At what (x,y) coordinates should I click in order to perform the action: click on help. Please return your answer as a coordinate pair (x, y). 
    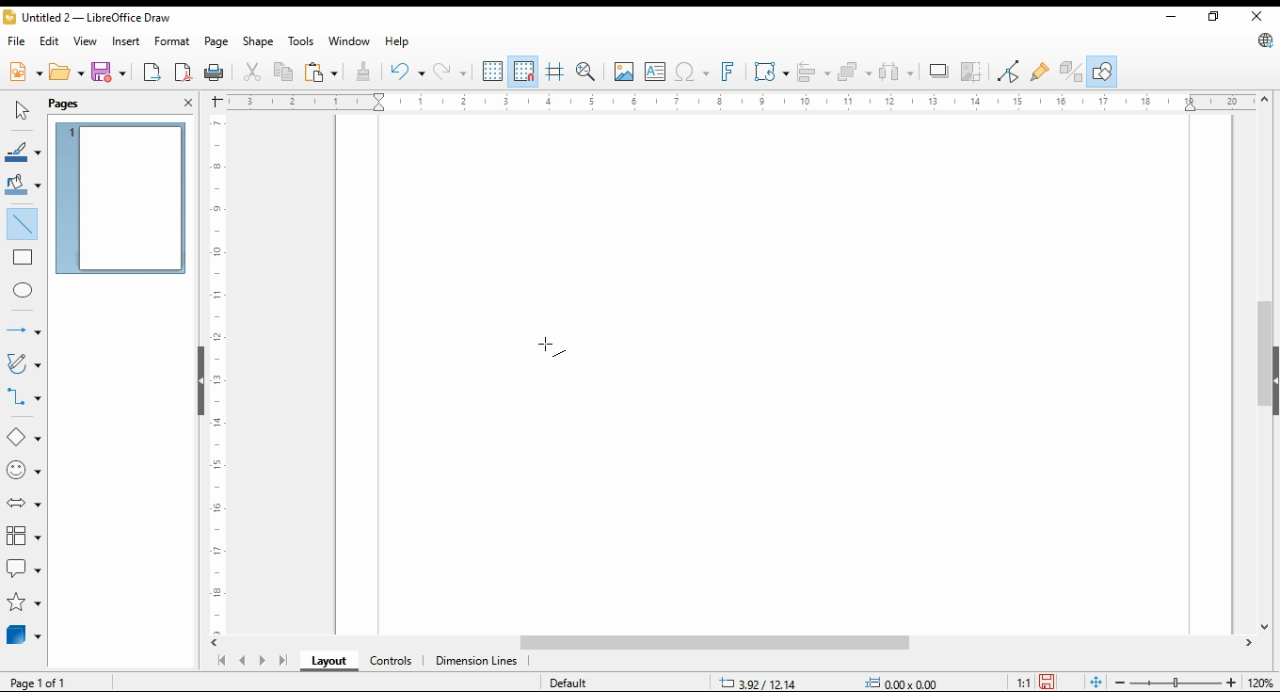
    Looking at the image, I should click on (397, 41).